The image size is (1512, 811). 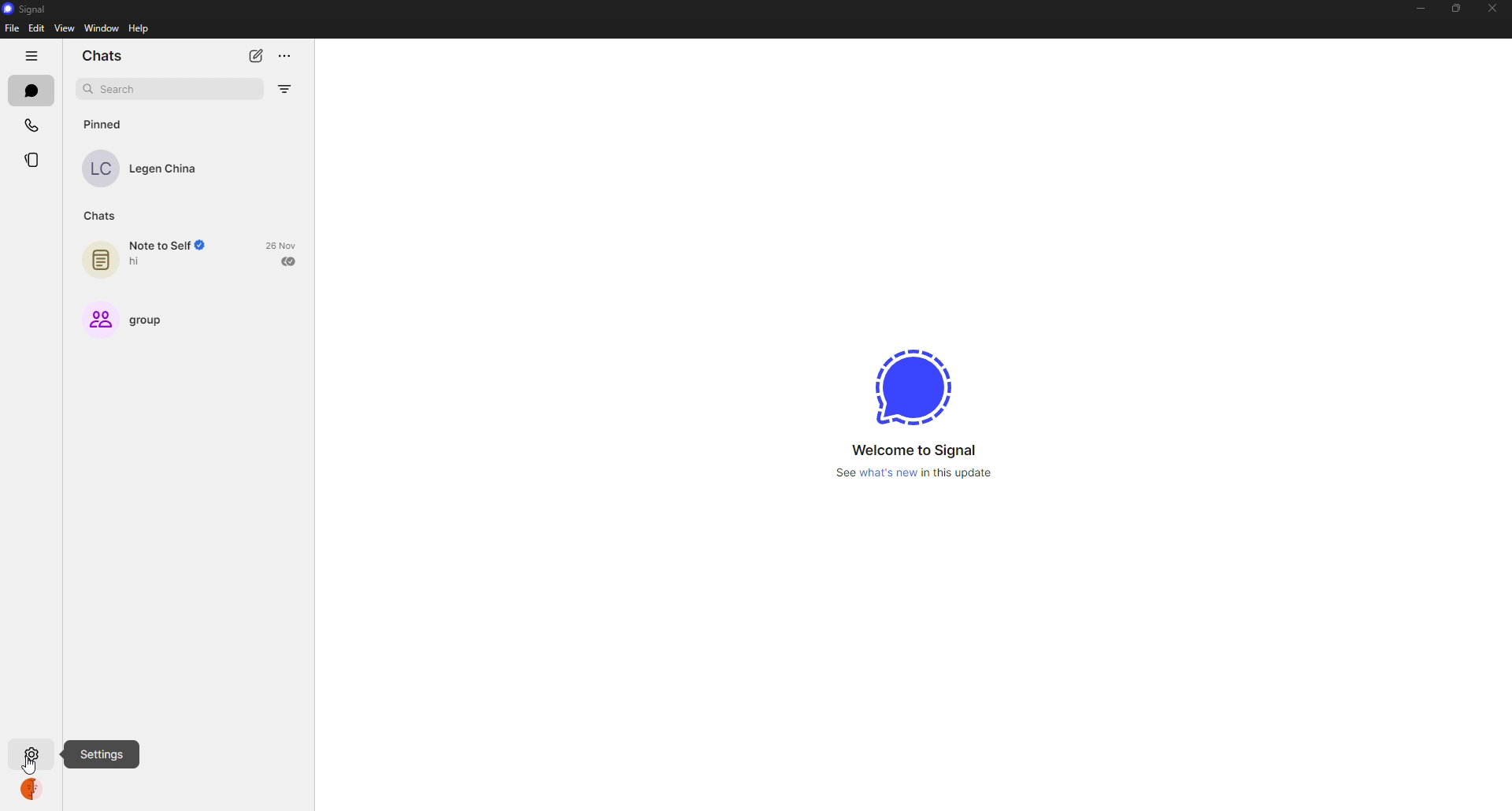 I want to click on calls, so click(x=30, y=124).